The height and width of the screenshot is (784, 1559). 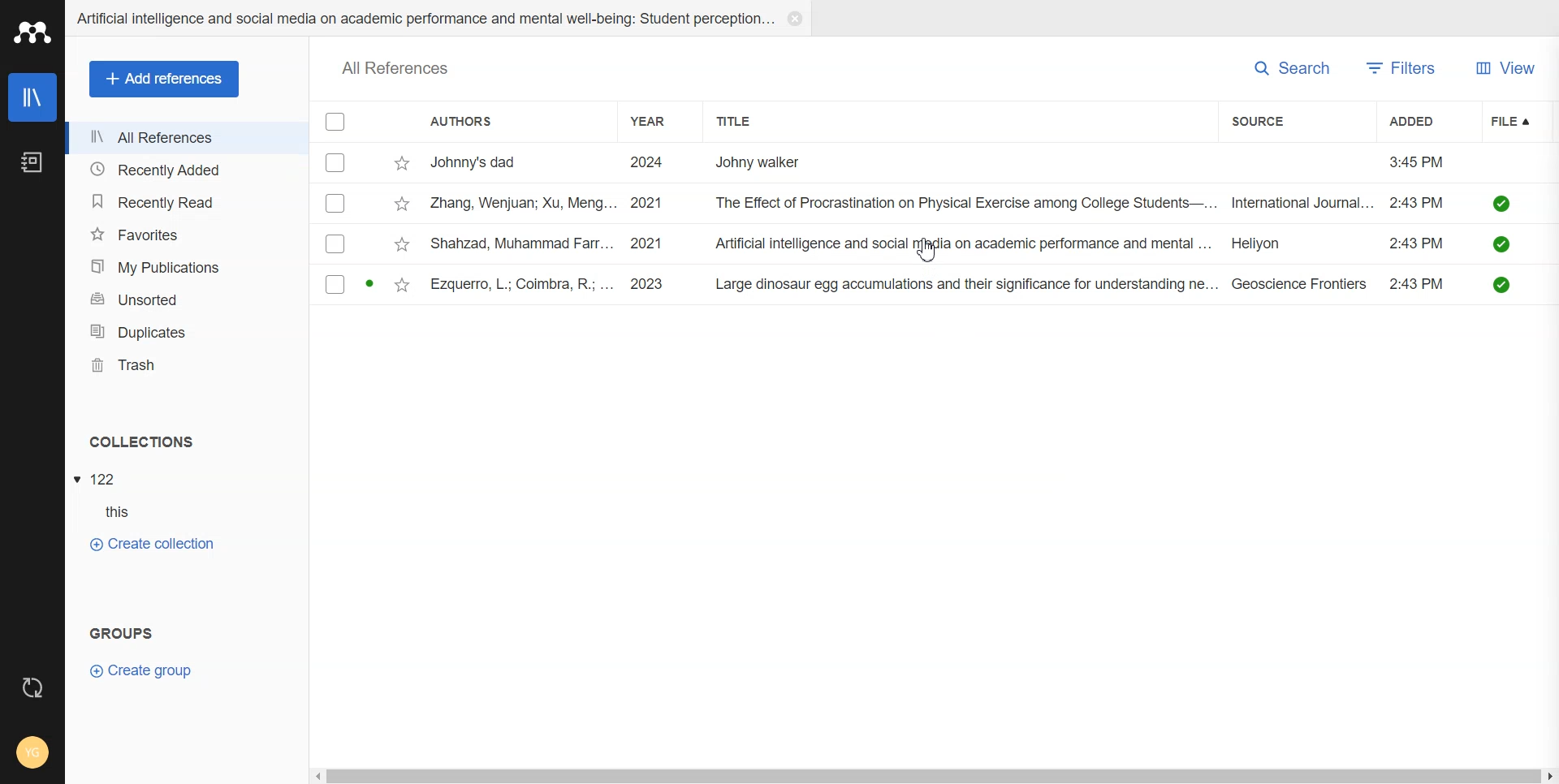 I want to click on Artificial intelligence and social media on academic performance and mental ..., so click(x=968, y=241).